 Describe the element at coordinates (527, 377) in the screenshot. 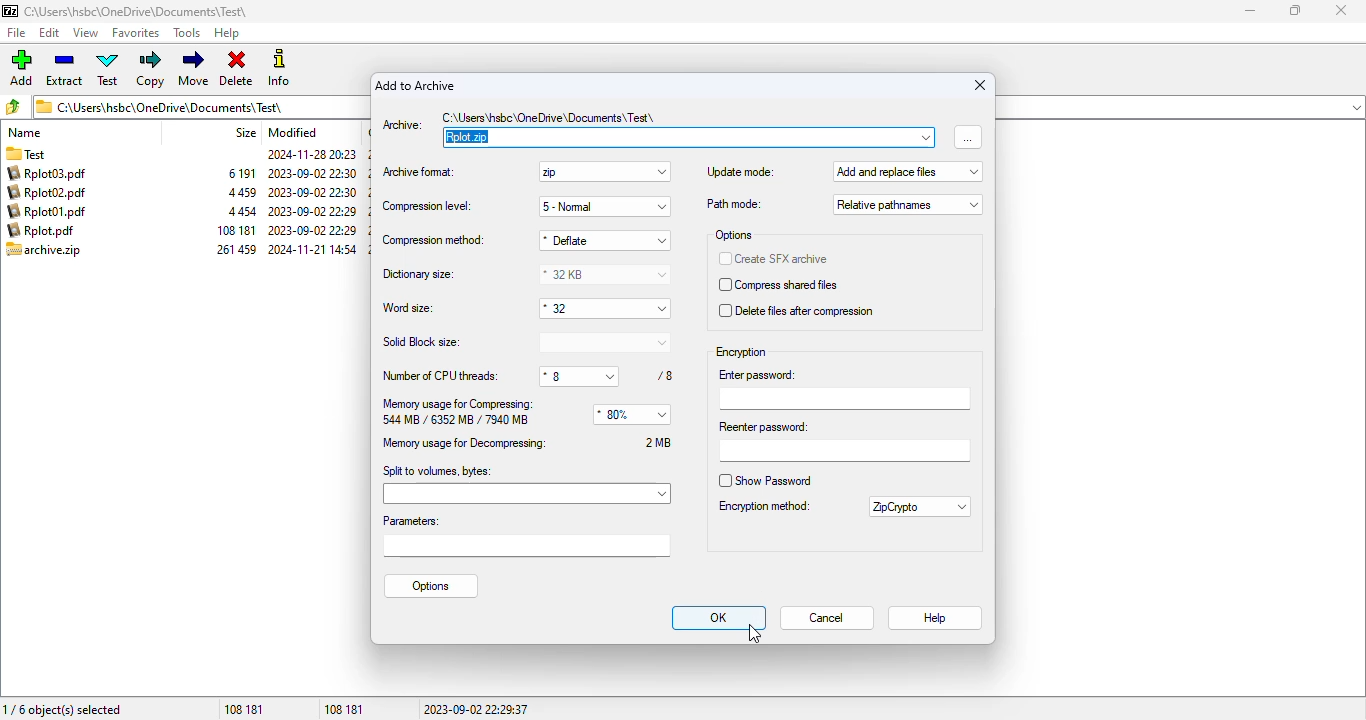

I see `number of CPU threads: * 8 / 8` at that location.